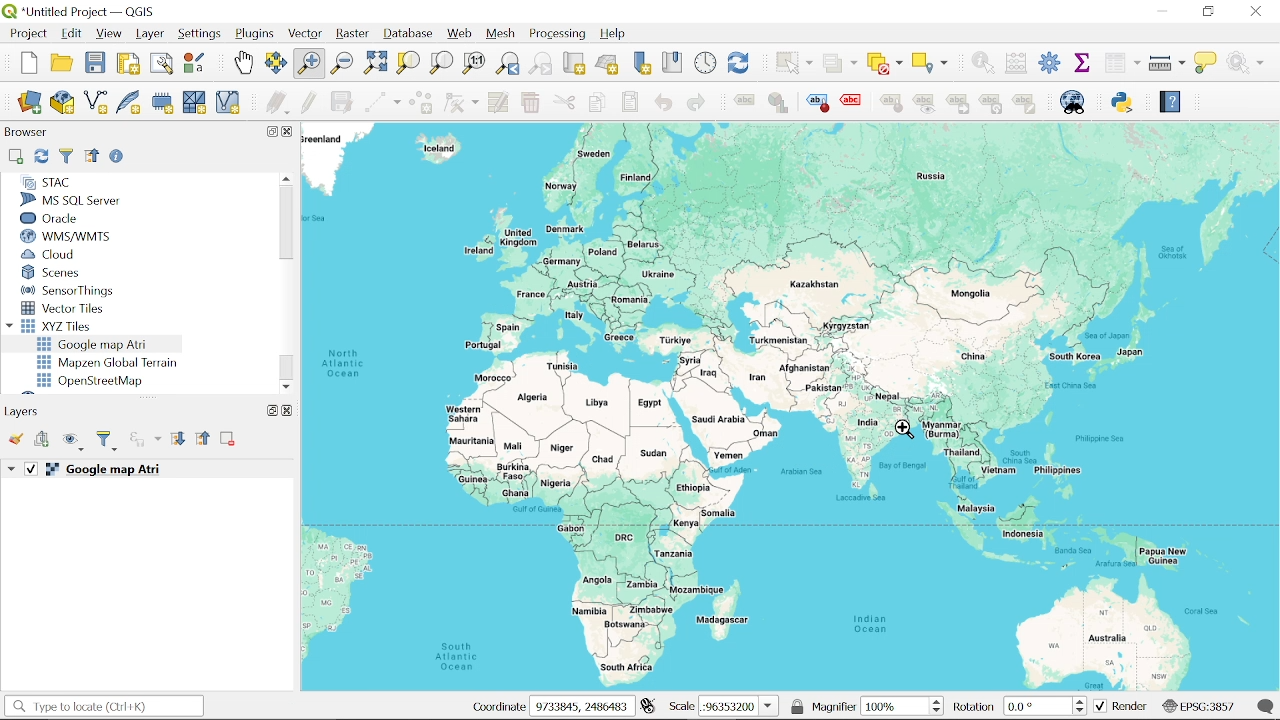 The height and width of the screenshot is (720, 1280). I want to click on Identify features, so click(979, 62).